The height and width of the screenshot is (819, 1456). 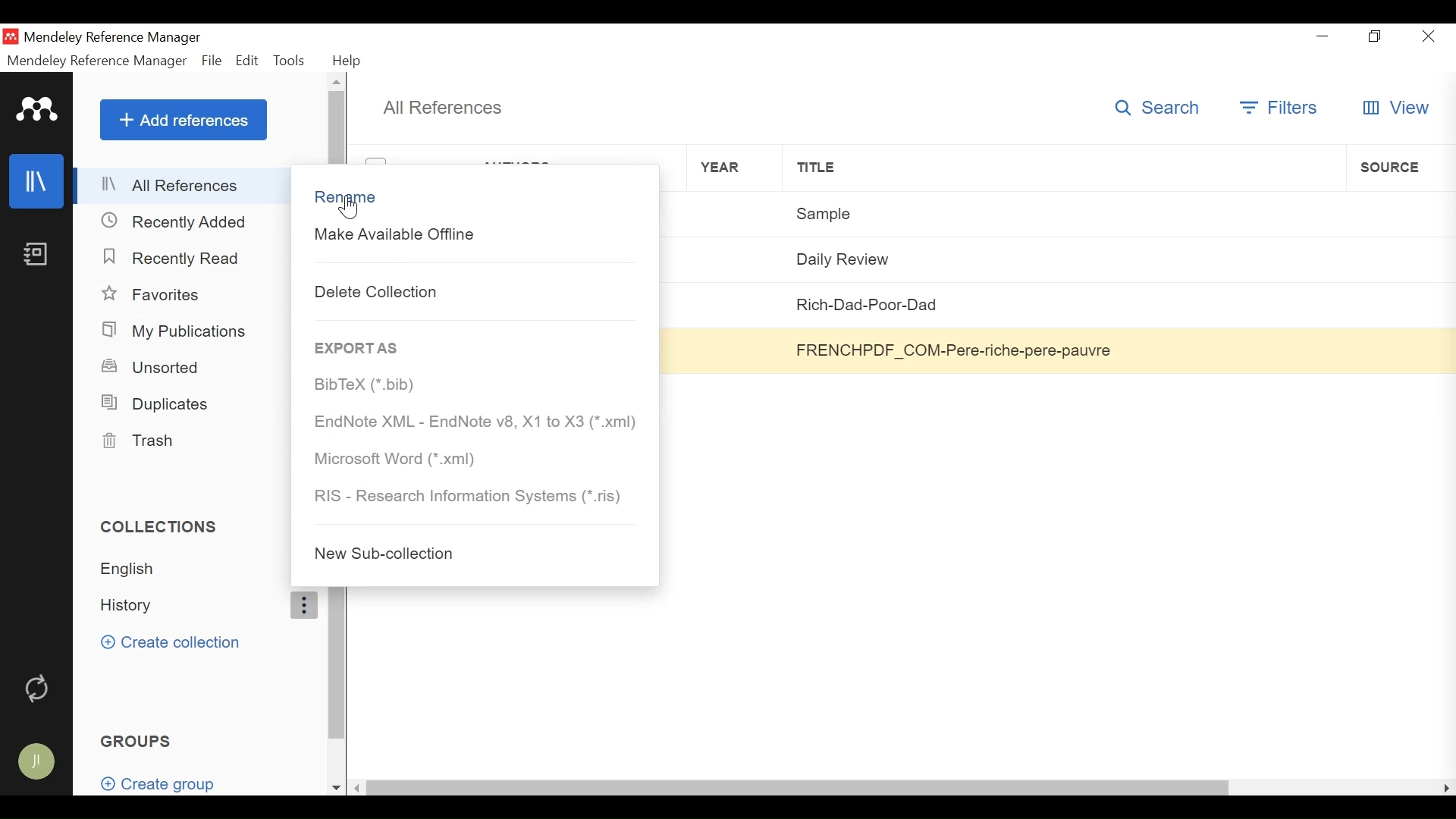 I want to click on Restore, so click(x=1376, y=37).